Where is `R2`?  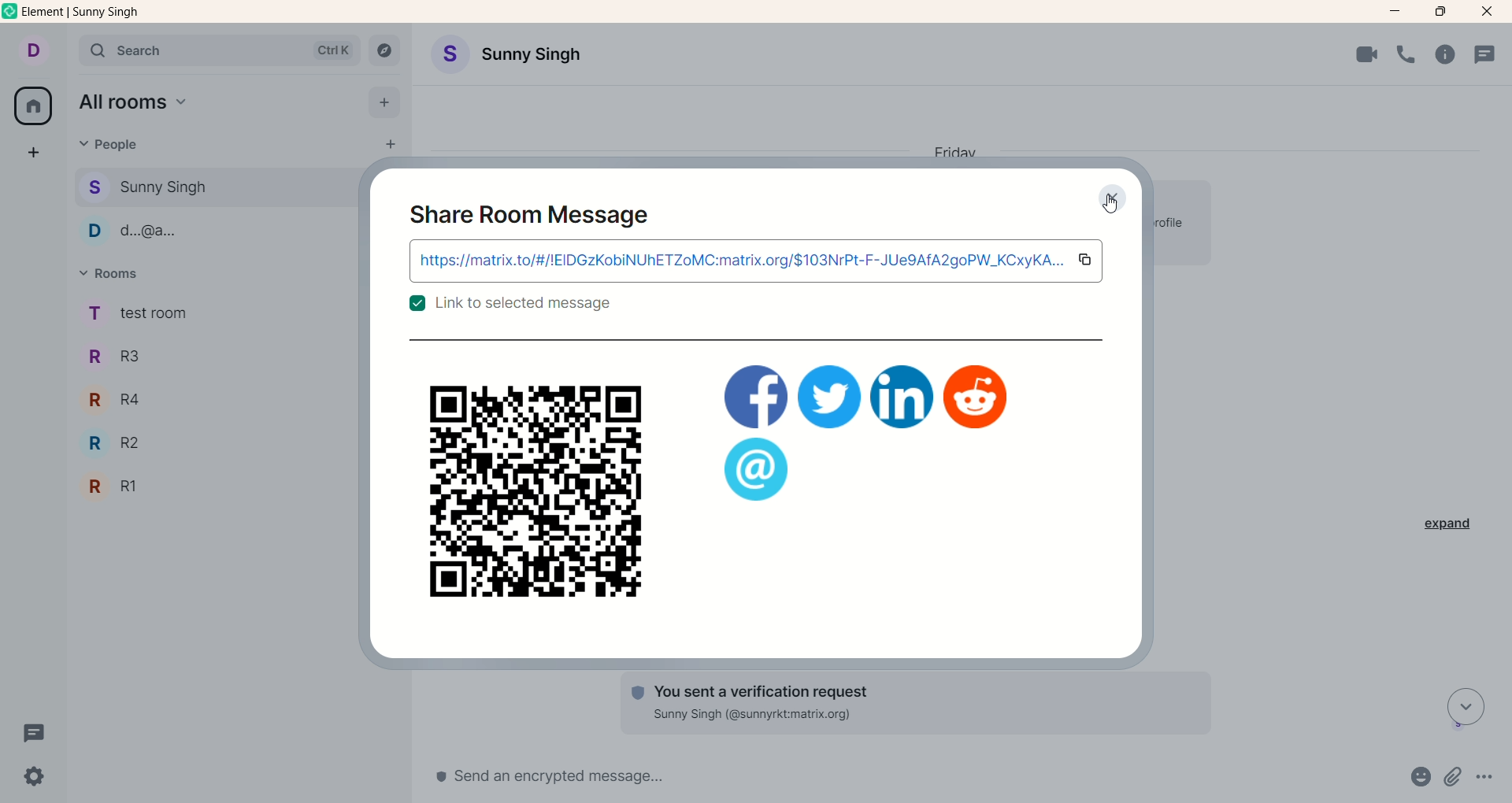
R2 is located at coordinates (123, 445).